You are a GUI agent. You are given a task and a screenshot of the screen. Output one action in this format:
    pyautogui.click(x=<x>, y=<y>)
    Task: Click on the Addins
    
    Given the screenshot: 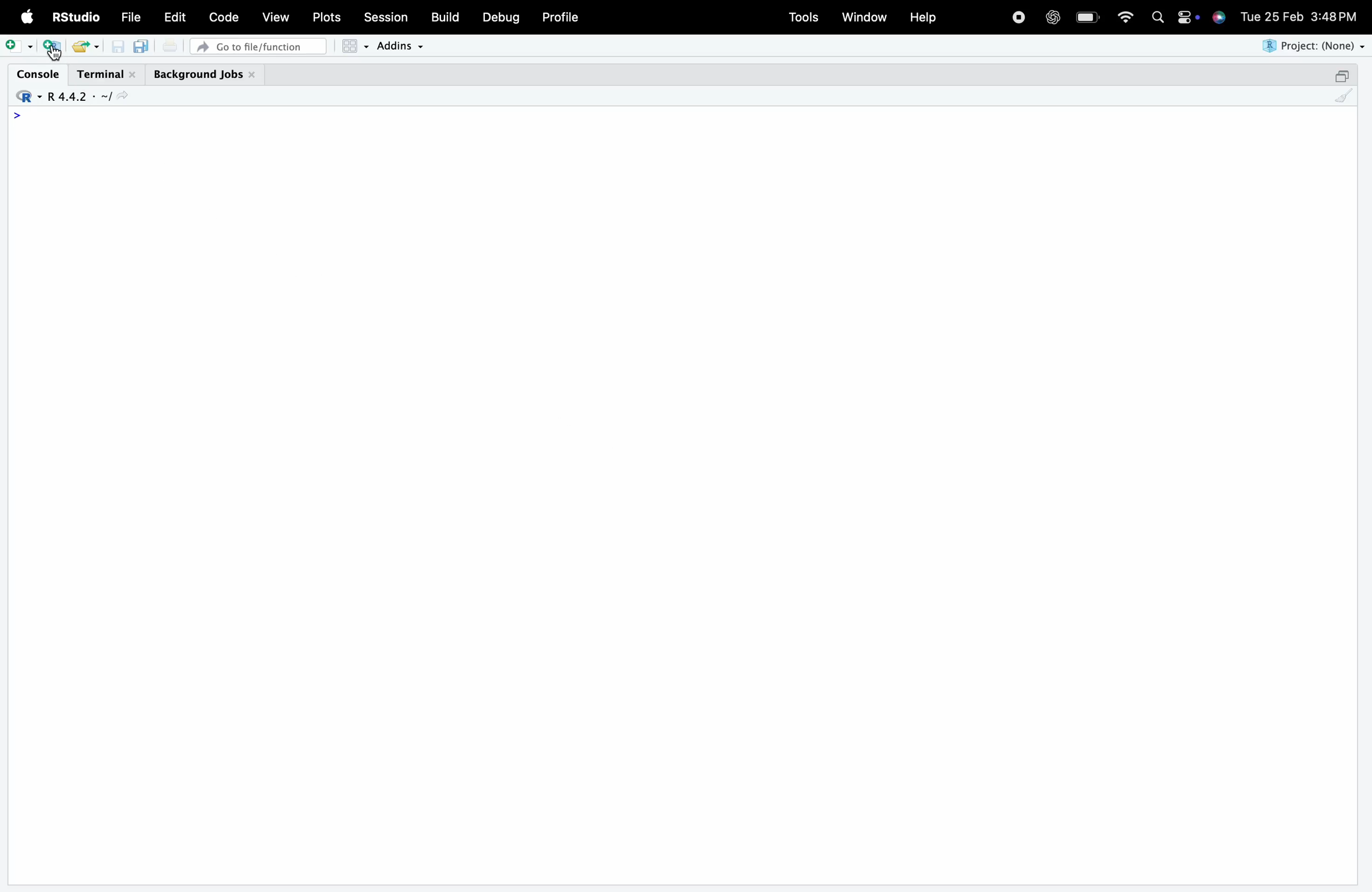 What is the action you would take?
    pyautogui.click(x=399, y=46)
    